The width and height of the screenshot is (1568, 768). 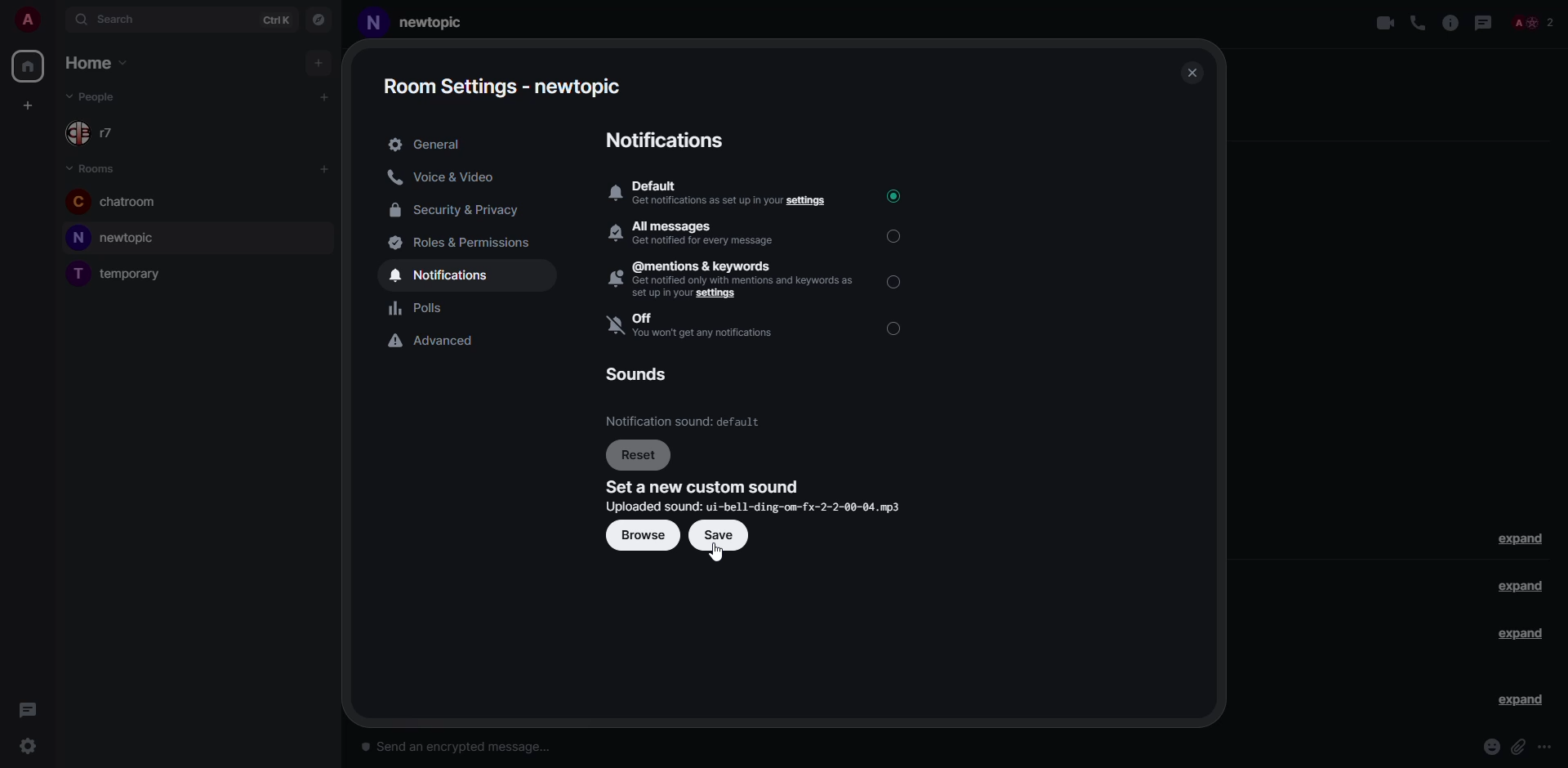 I want to click on send an encrypted message, so click(x=466, y=748).